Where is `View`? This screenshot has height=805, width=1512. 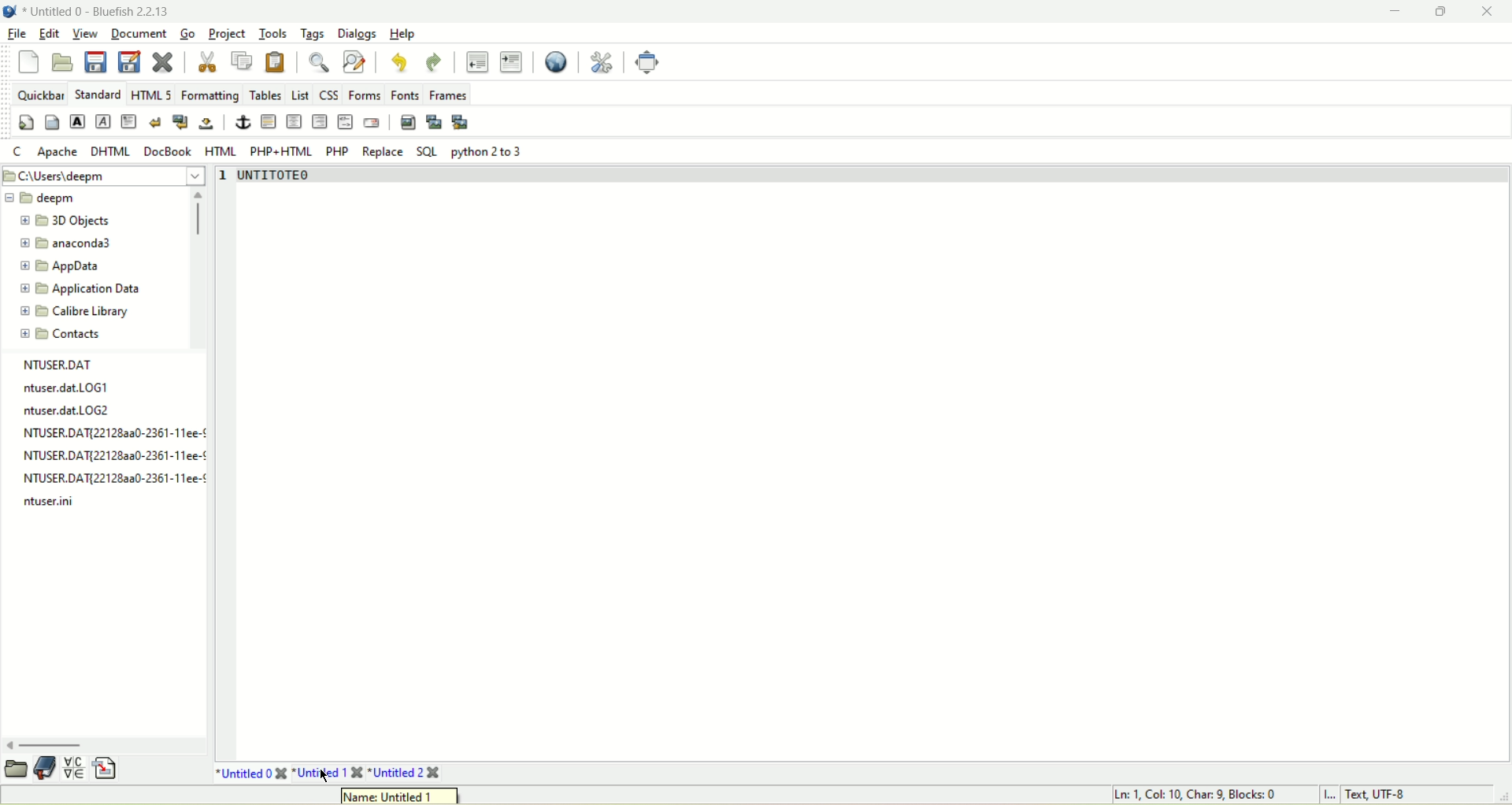
View is located at coordinates (86, 32).